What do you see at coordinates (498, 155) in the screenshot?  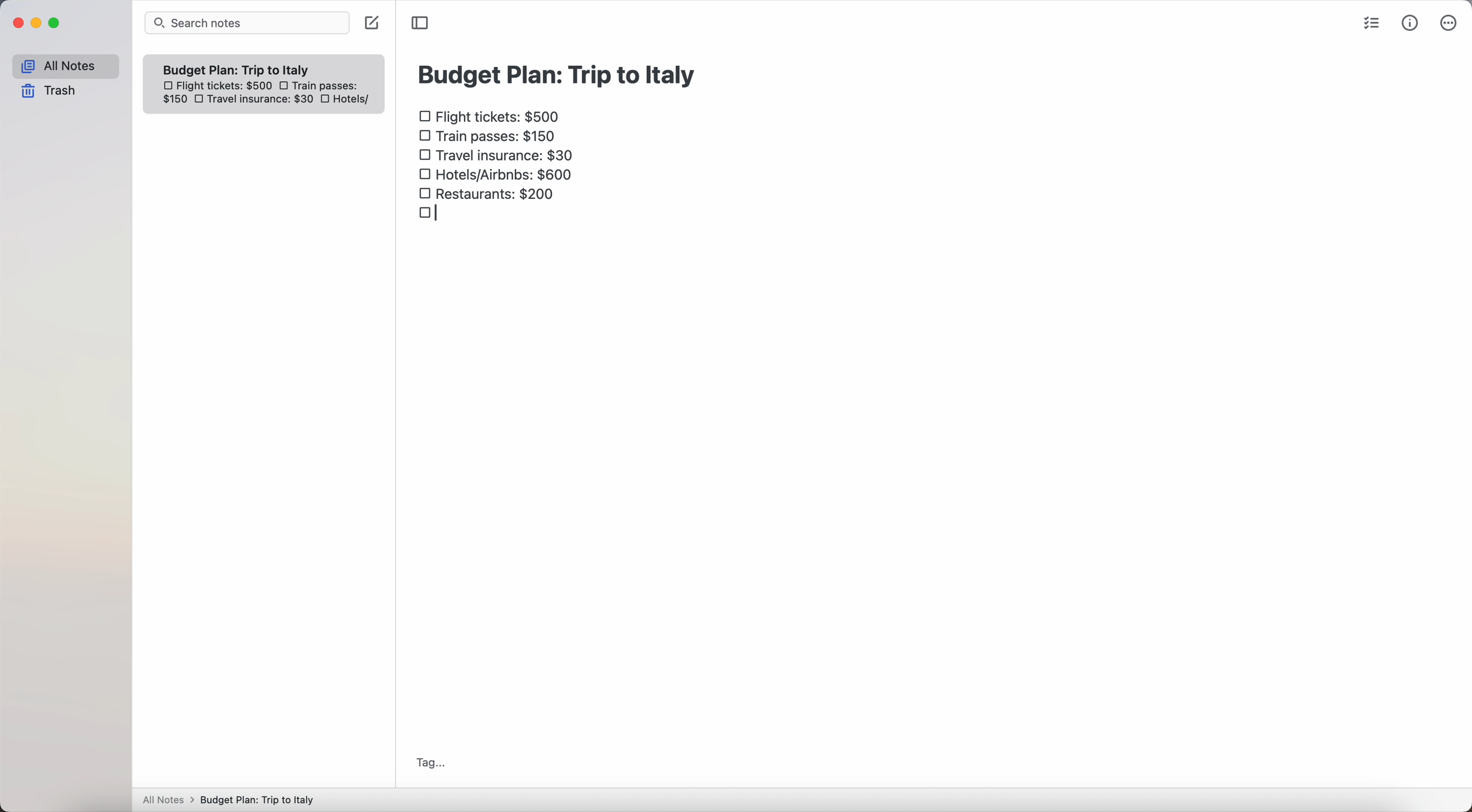 I see `travel insurance: $30 checkbox` at bounding box center [498, 155].